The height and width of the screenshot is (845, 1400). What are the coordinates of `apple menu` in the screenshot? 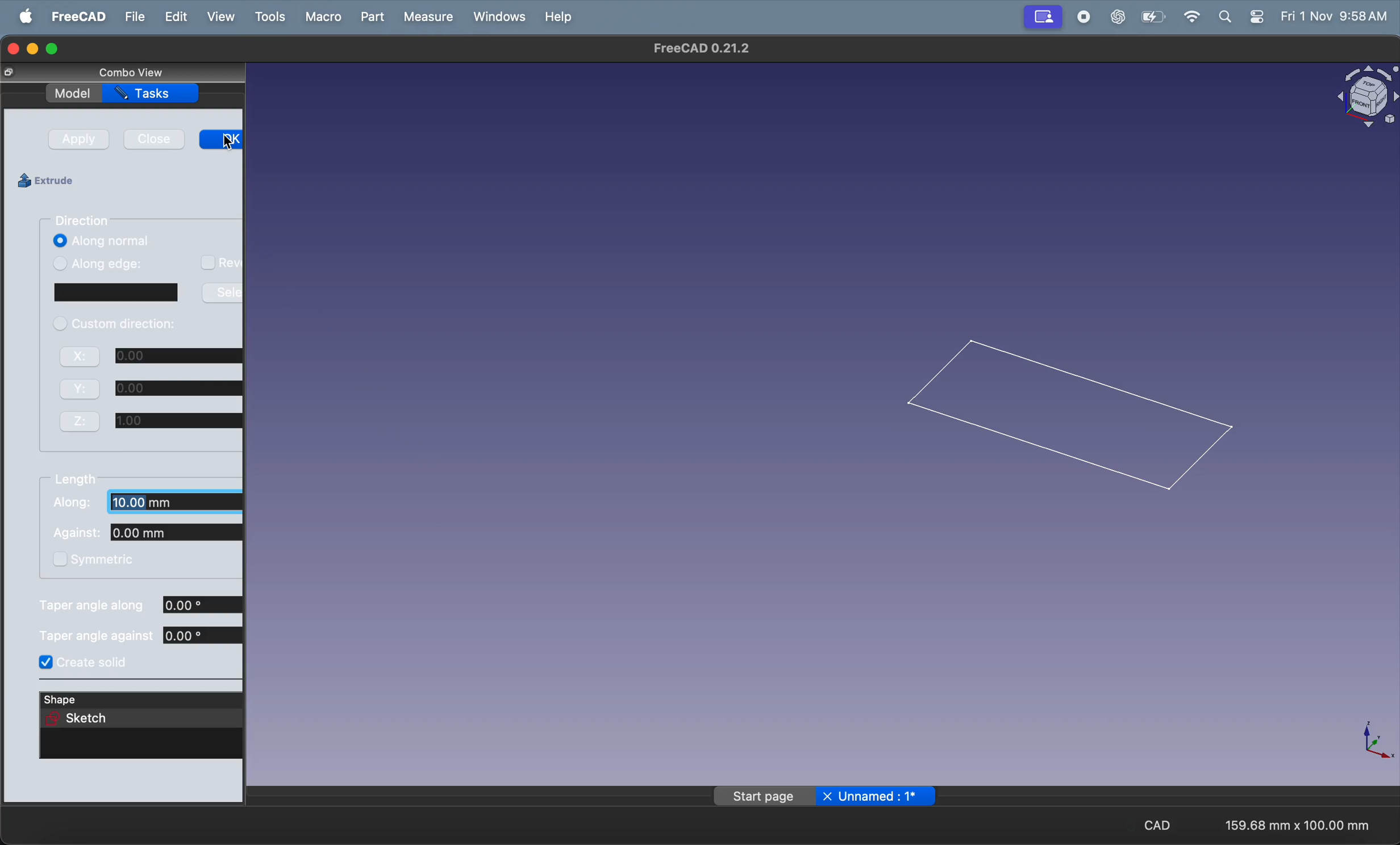 It's located at (22, 15).